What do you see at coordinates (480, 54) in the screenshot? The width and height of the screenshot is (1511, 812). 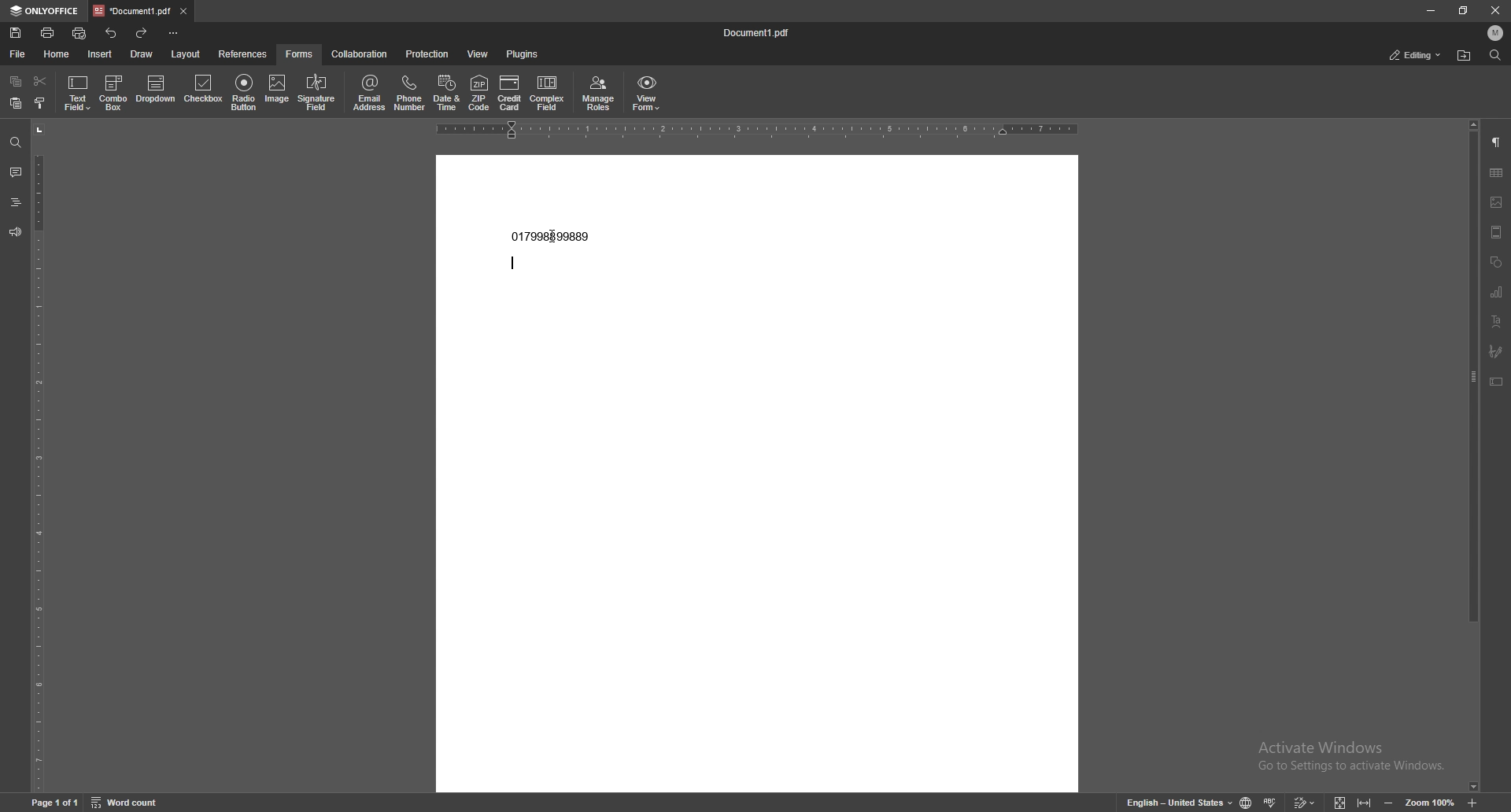 I see `view` at bounding box center [480, 54].